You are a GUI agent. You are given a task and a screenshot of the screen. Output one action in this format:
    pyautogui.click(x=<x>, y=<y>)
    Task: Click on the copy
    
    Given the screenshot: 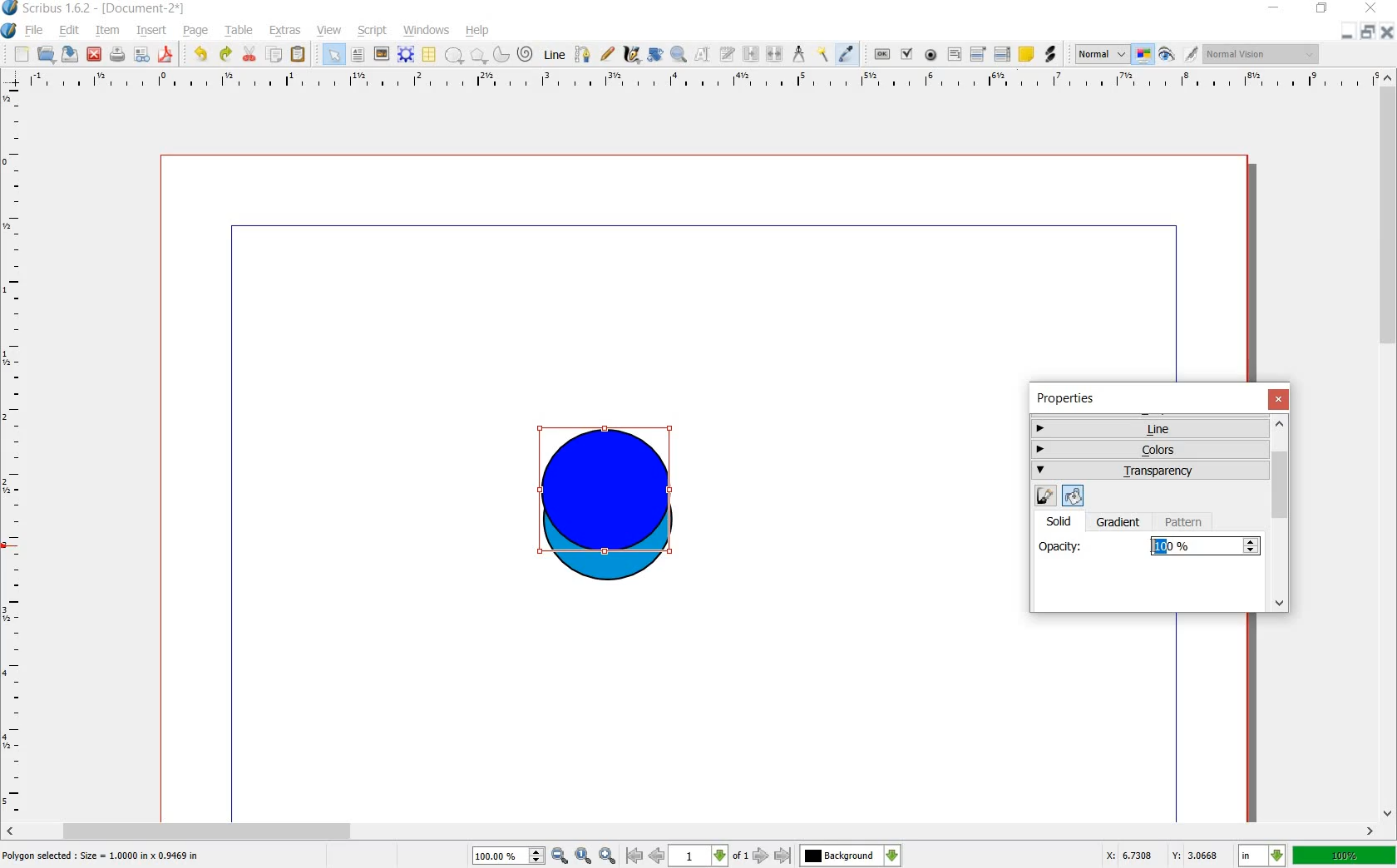 What is the action you would take?
    pyautogui.click(x=276, y=55)
    